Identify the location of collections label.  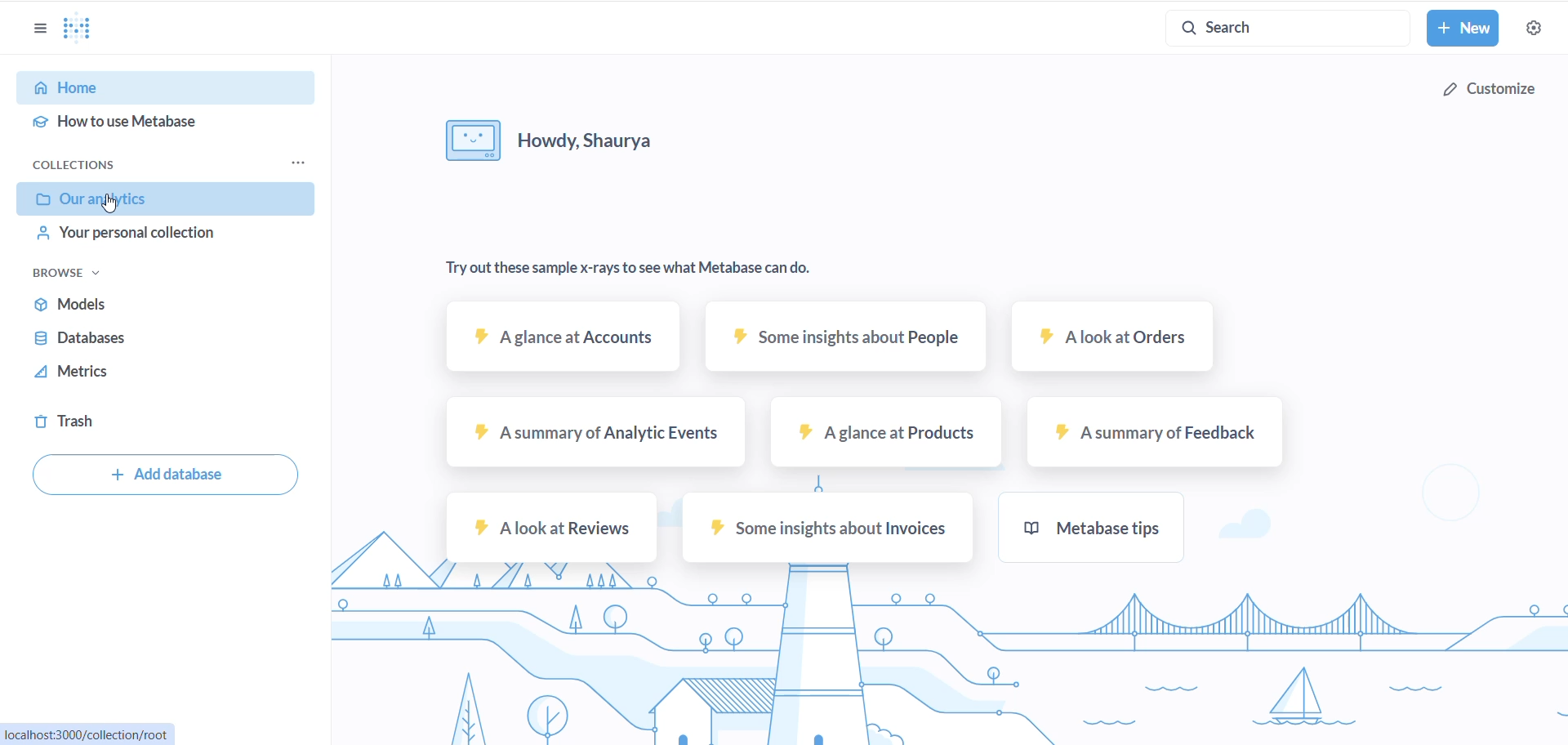
(100, 166).